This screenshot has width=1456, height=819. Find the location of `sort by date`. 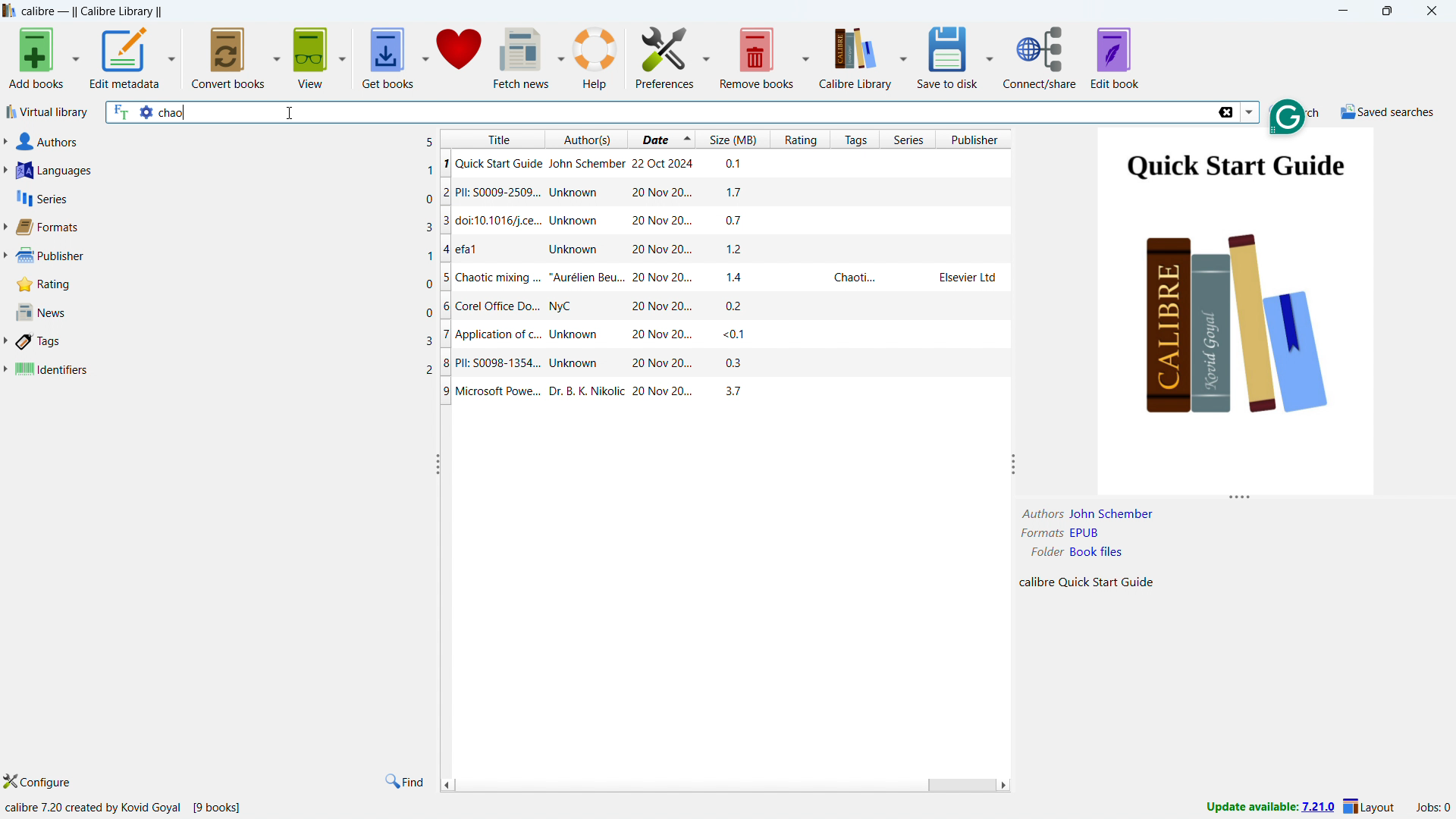

sort by date is located at coordinates (654, 139).